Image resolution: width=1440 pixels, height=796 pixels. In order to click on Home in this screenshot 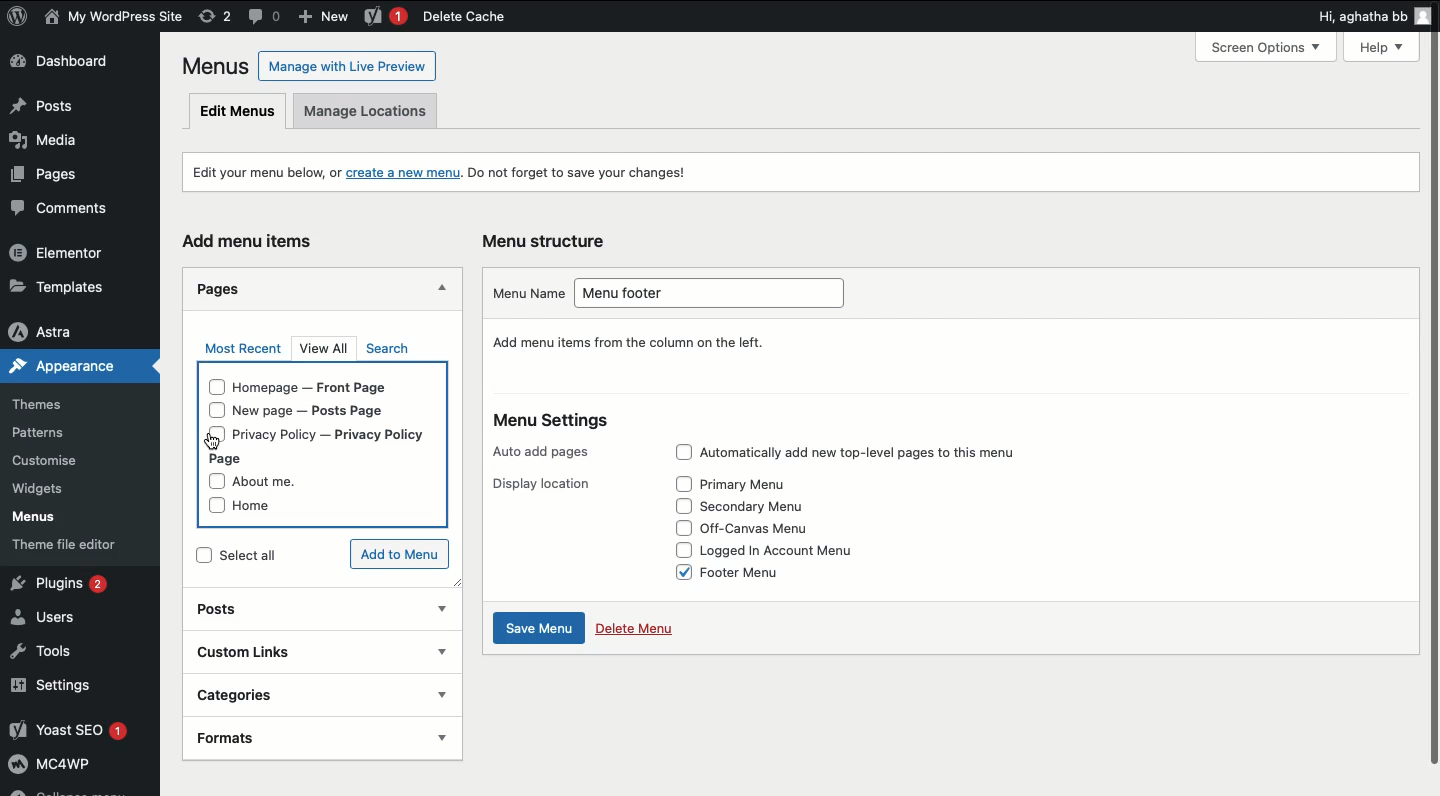, I will do `click(267, 506)`.